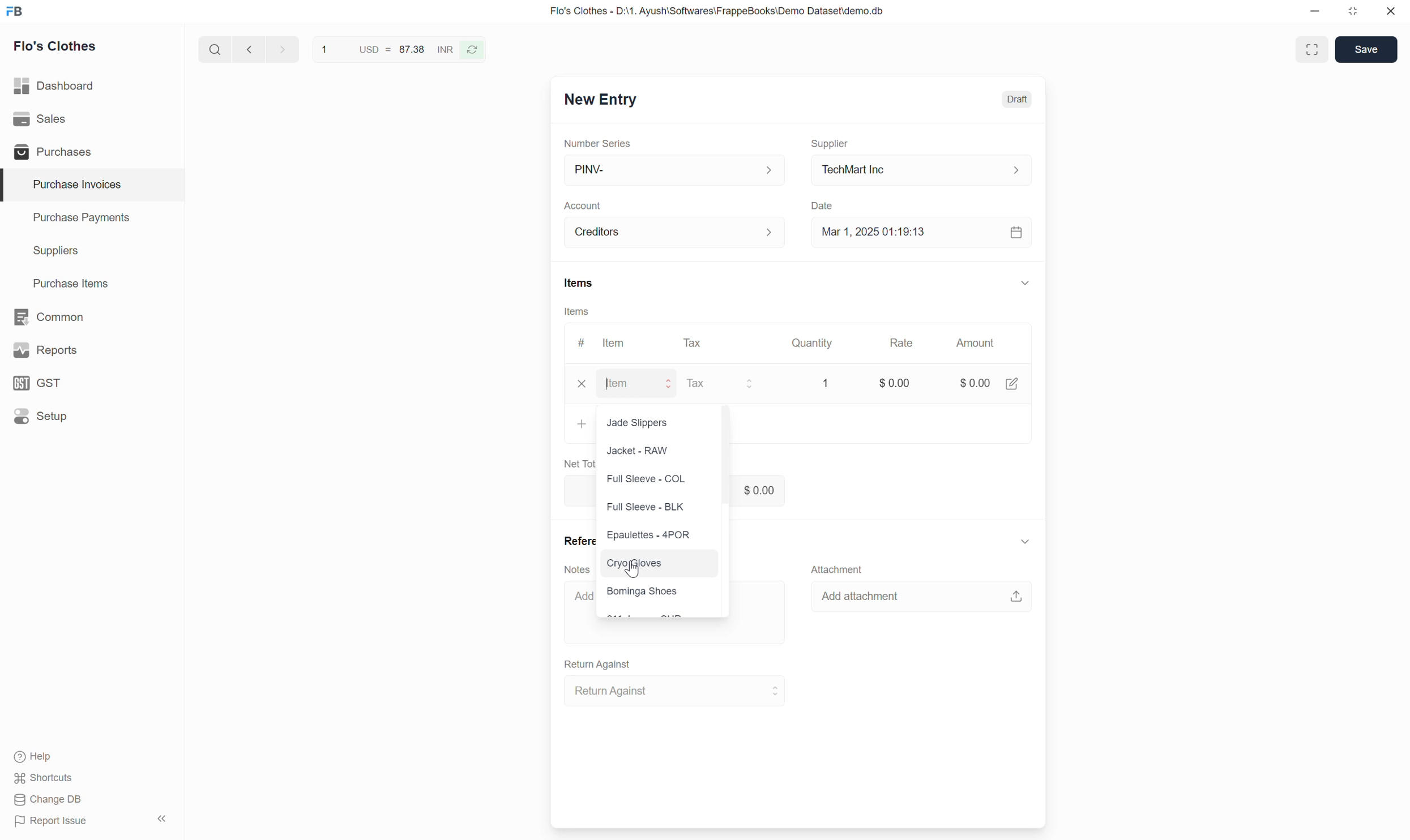 This screenshot has height=840, width=1410. I want to click on Save, so click(1365, 49).